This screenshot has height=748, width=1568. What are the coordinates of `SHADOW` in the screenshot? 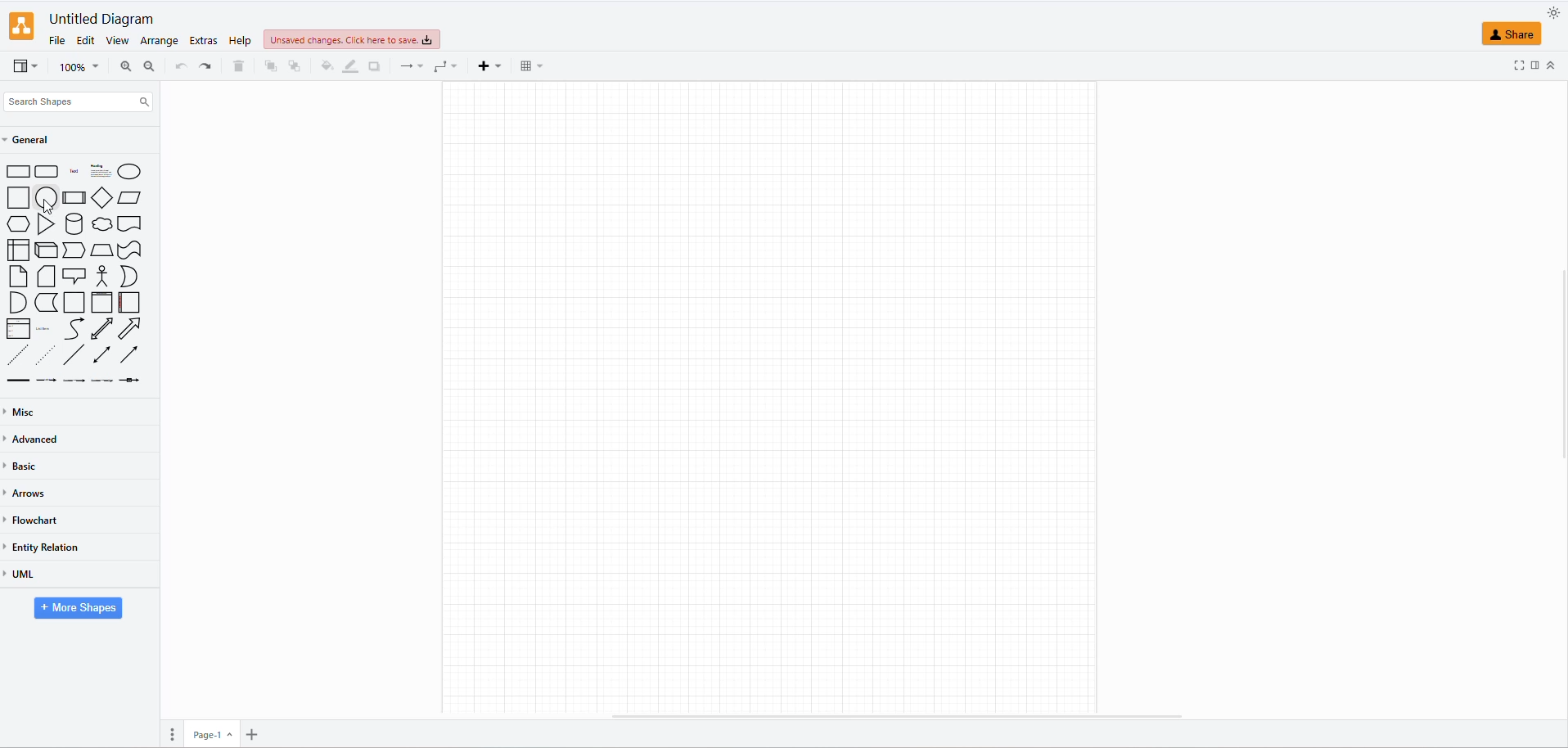 It's located at (376, 66).